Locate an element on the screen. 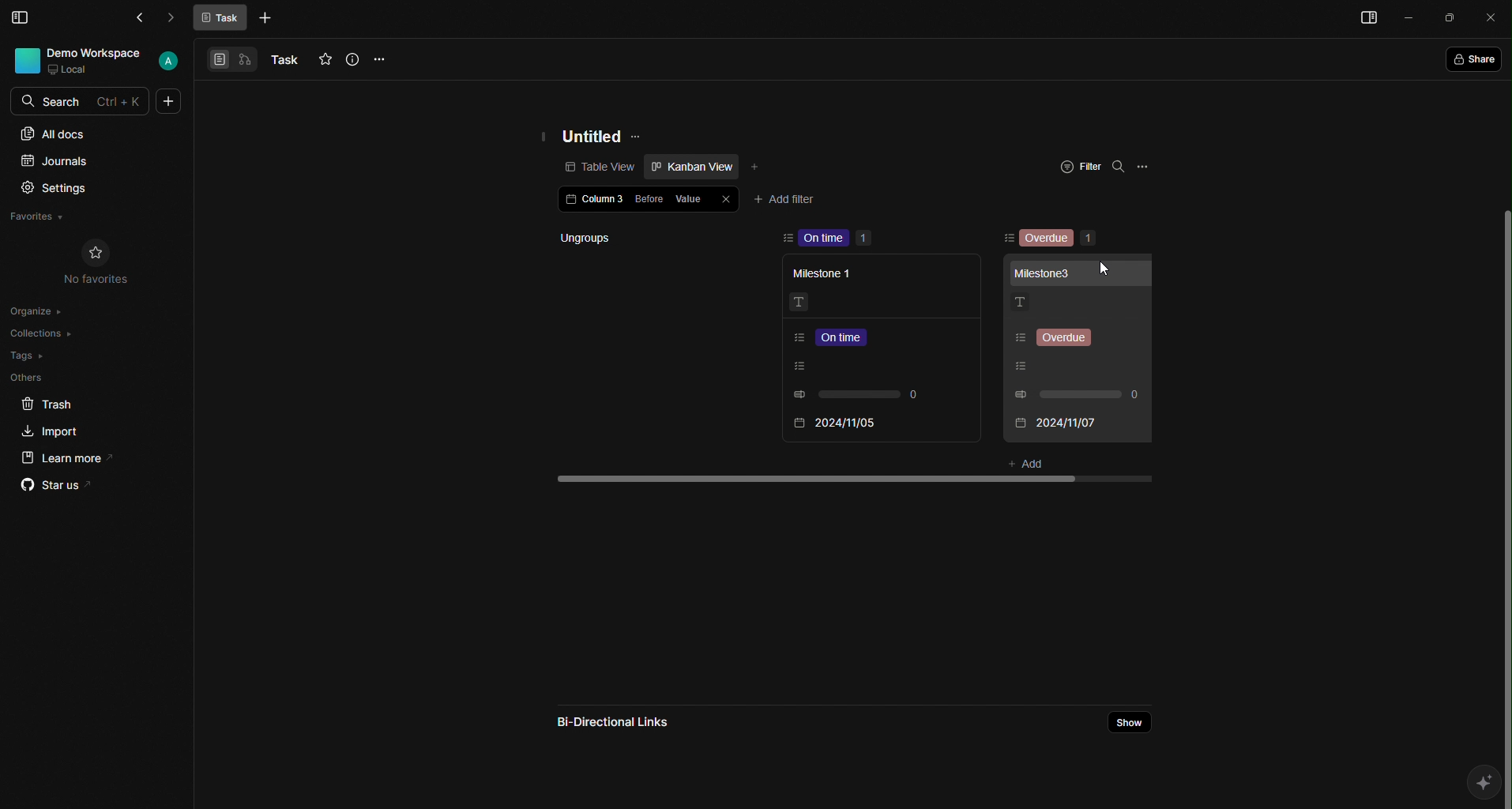 This screenshot has height=809, width=1512. Overdue is located at coordinates (1060, 239).